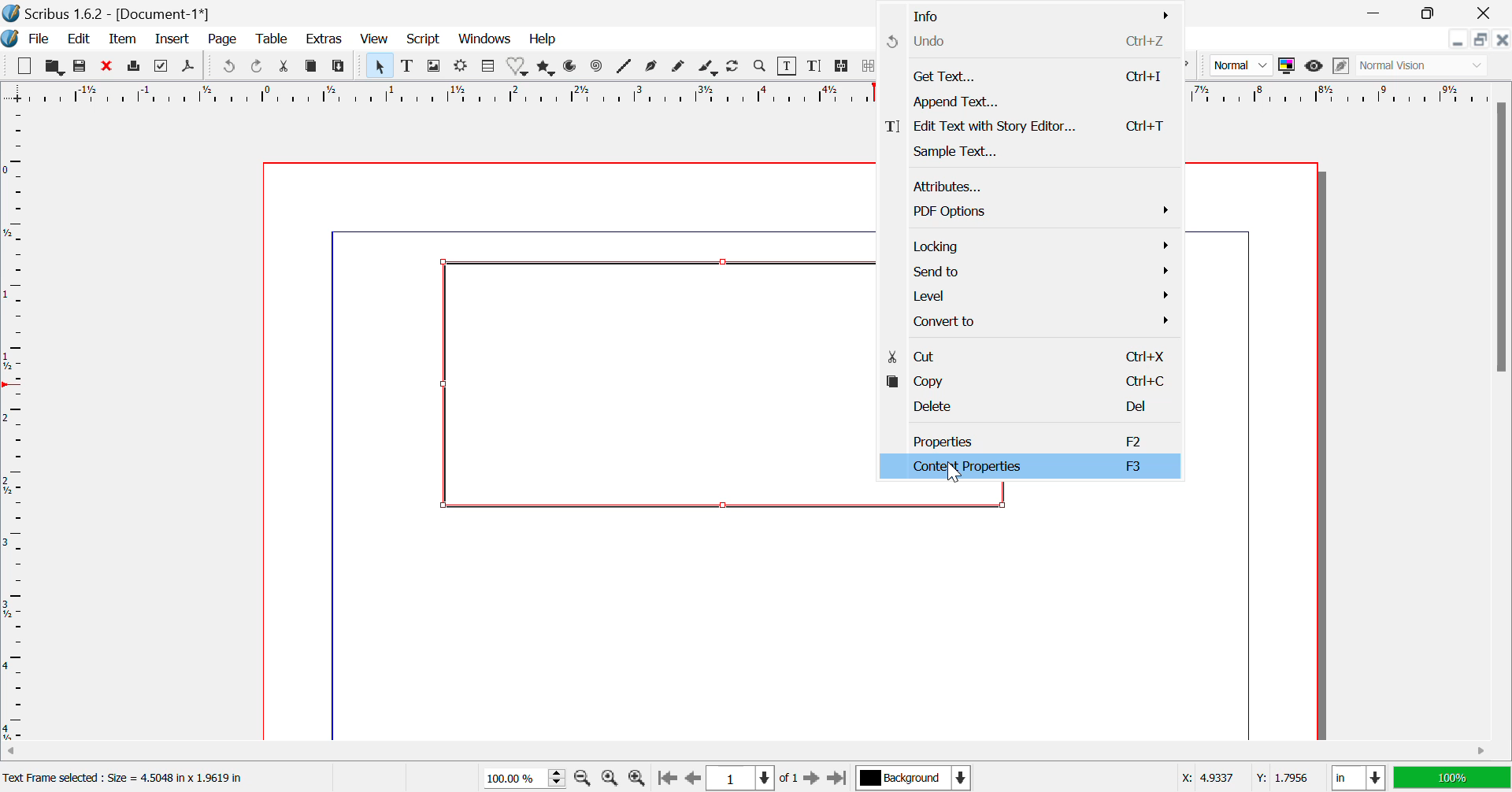 The image size is (1512, 792). What do you see at coordinates (545, 69) in the screenshot?
I see `Polygons` at bounding box center [545, 69].